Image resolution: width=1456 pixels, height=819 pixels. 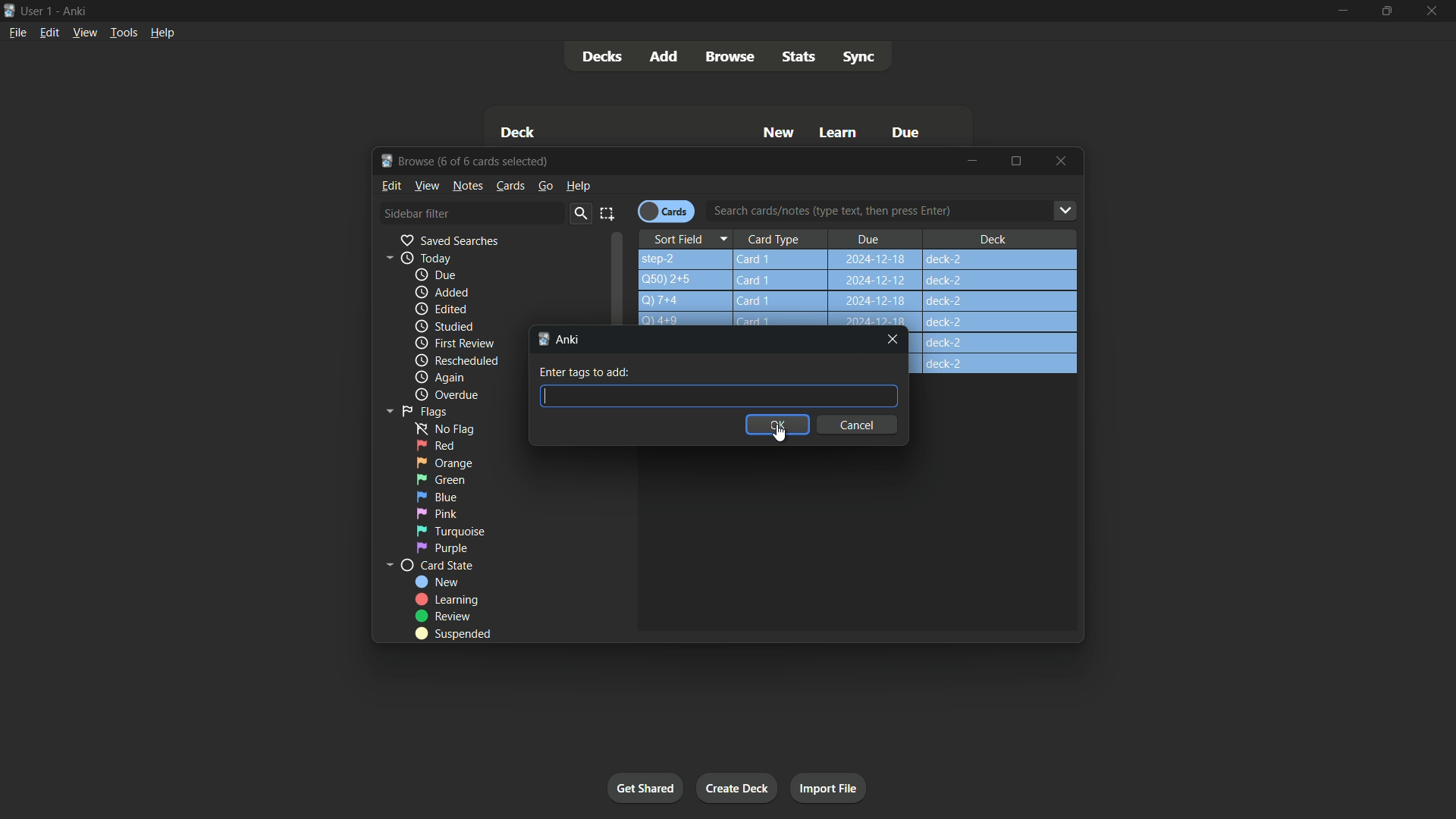 What do you see at coordinates (435, 446) in the screenshot?
I see `red` at bounding box center [435, 446].